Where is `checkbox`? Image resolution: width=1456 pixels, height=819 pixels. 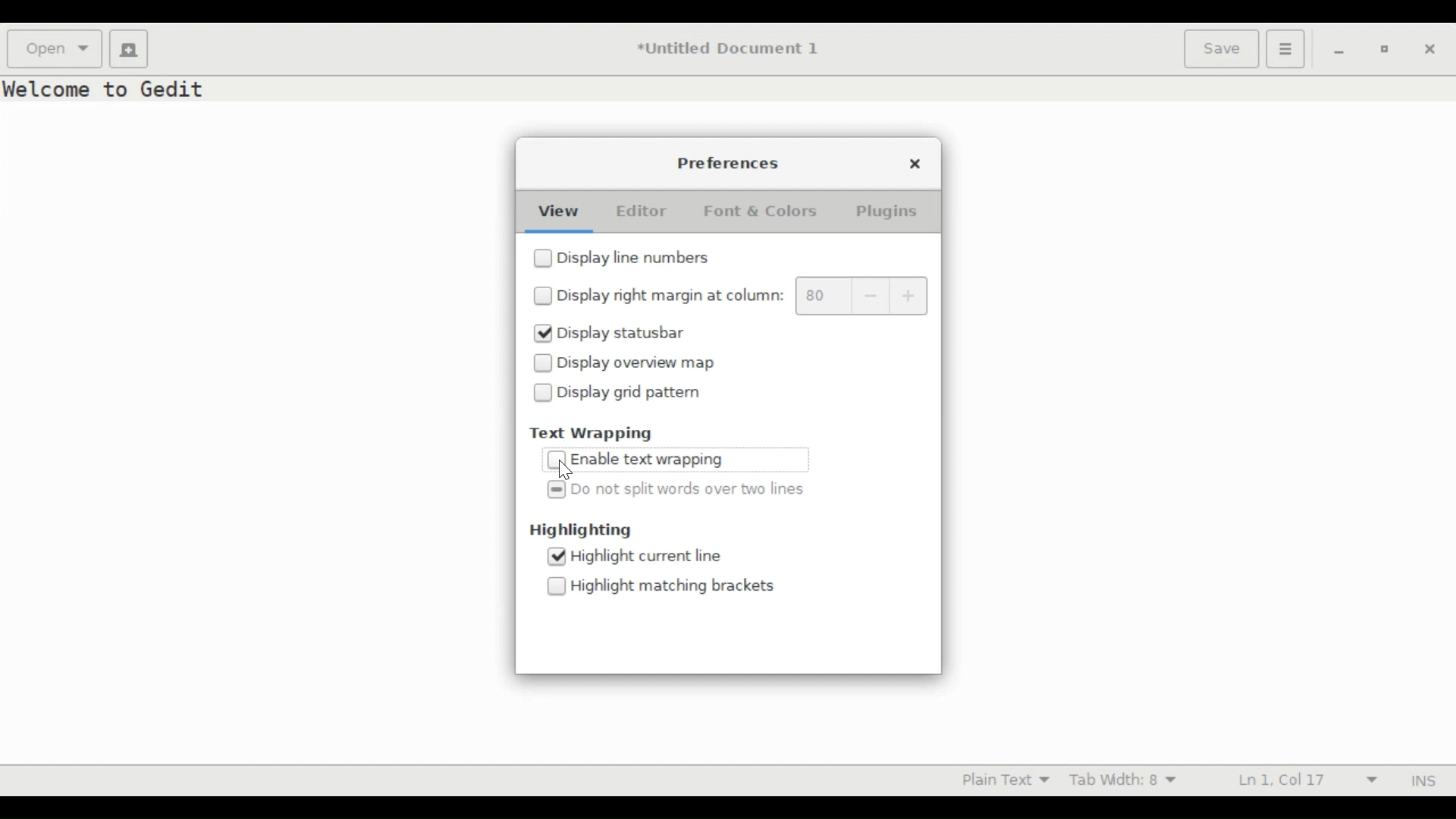 checkbox is located at coordinates (542, 297).